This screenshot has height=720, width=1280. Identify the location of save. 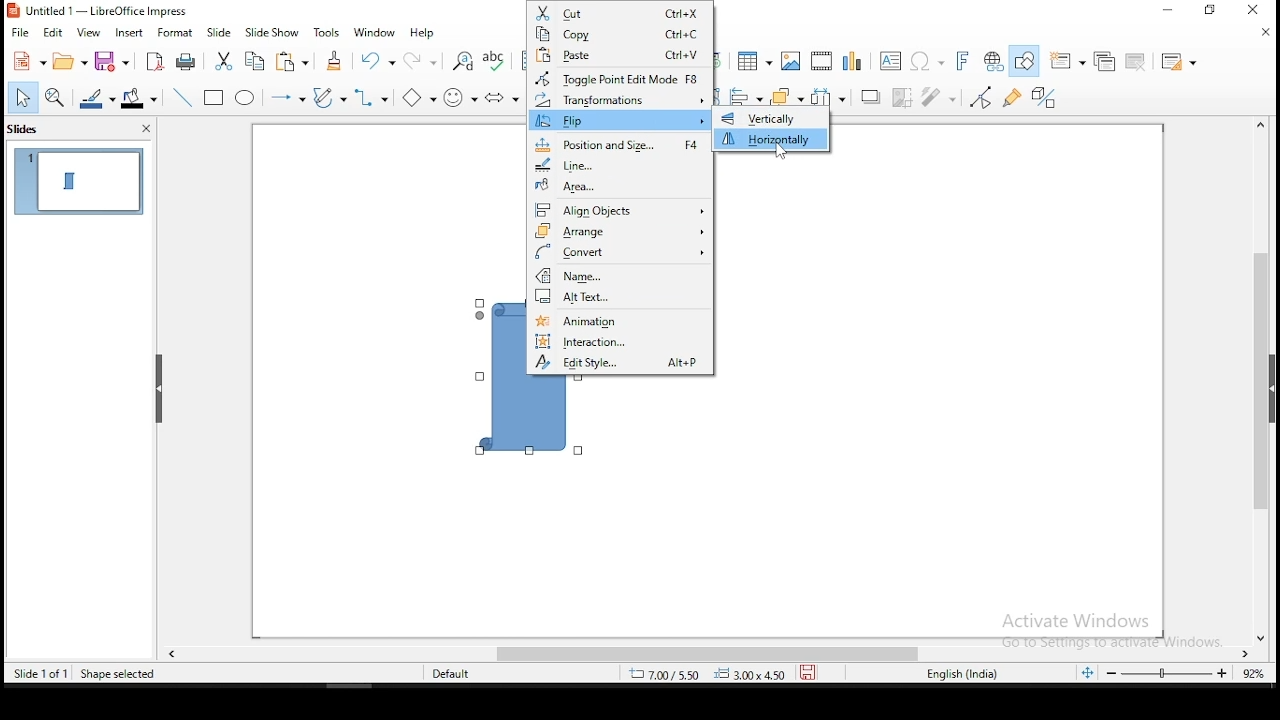
(808, 673).